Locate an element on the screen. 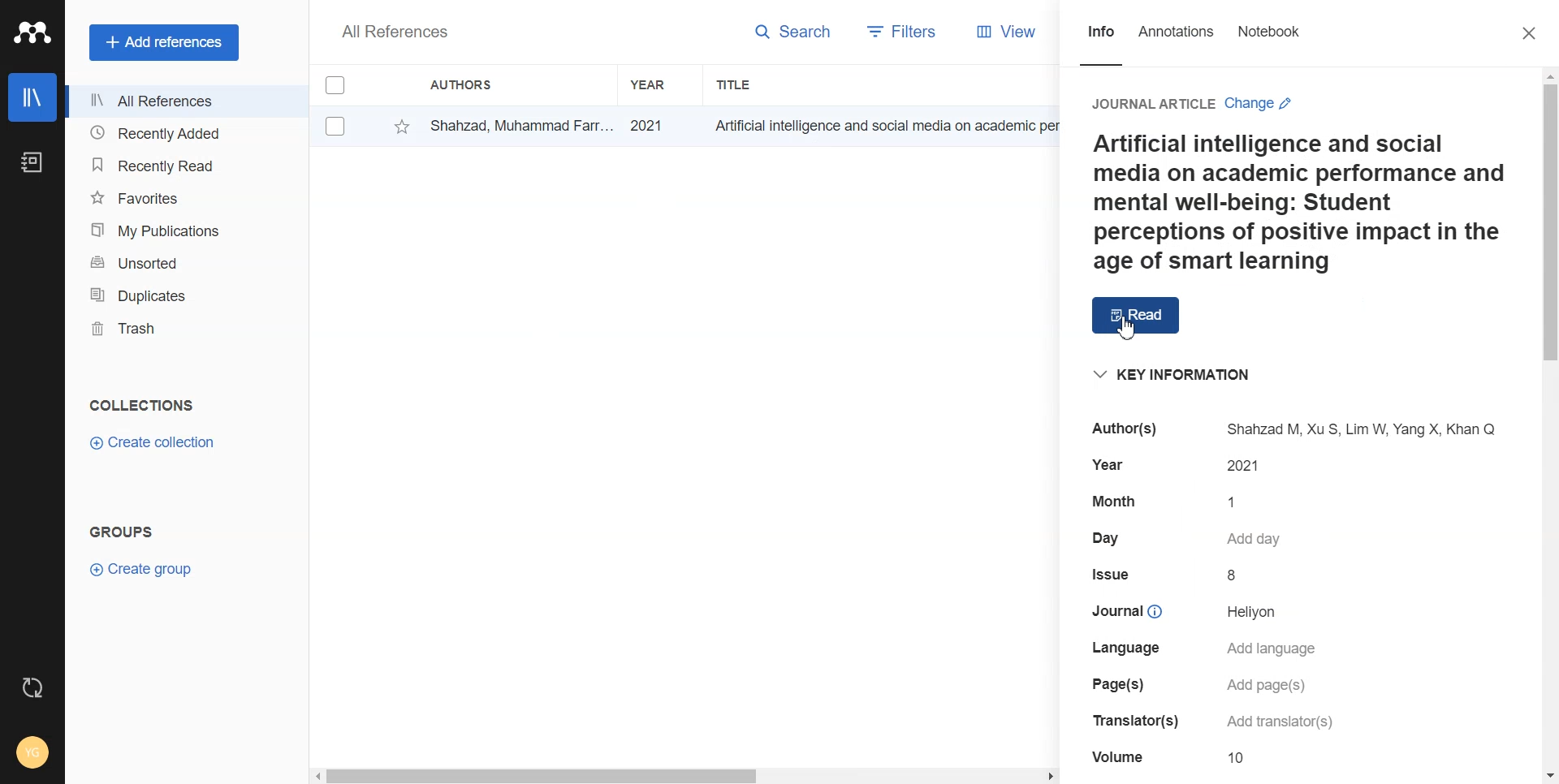 The height and width of the screenshot is (784, 1559). change is located at coordinates (1264, 104).